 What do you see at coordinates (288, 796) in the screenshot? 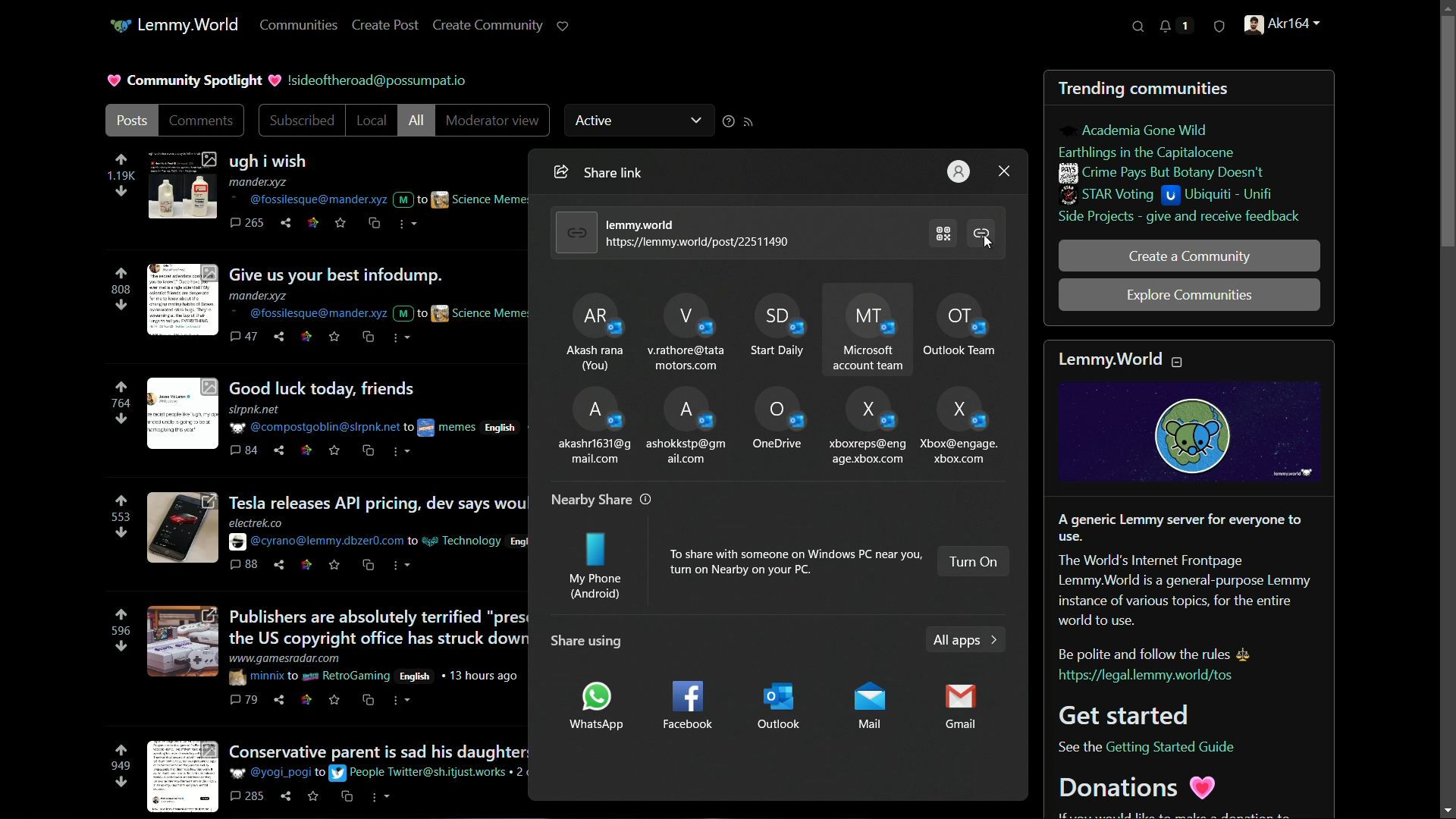
I see `share` at bounding box center [288, 796].